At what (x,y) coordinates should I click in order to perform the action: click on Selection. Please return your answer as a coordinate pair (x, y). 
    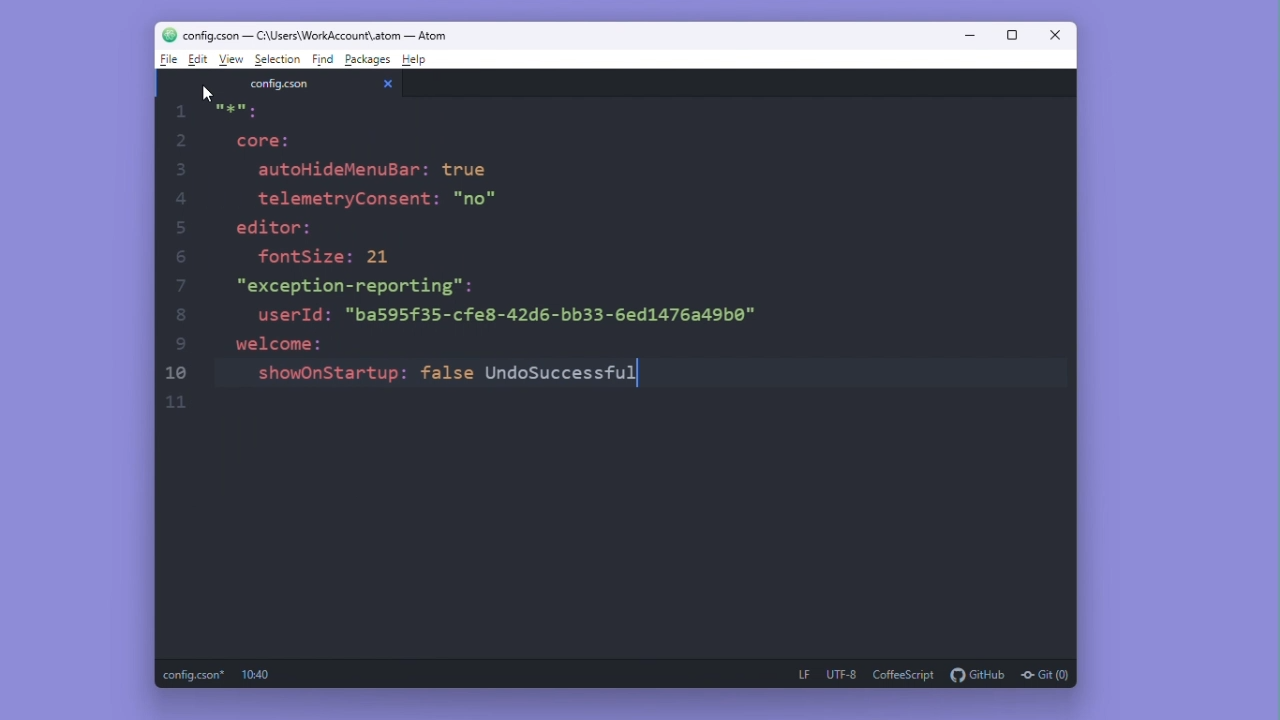
    Looking at the image, I should click on (279, 61).